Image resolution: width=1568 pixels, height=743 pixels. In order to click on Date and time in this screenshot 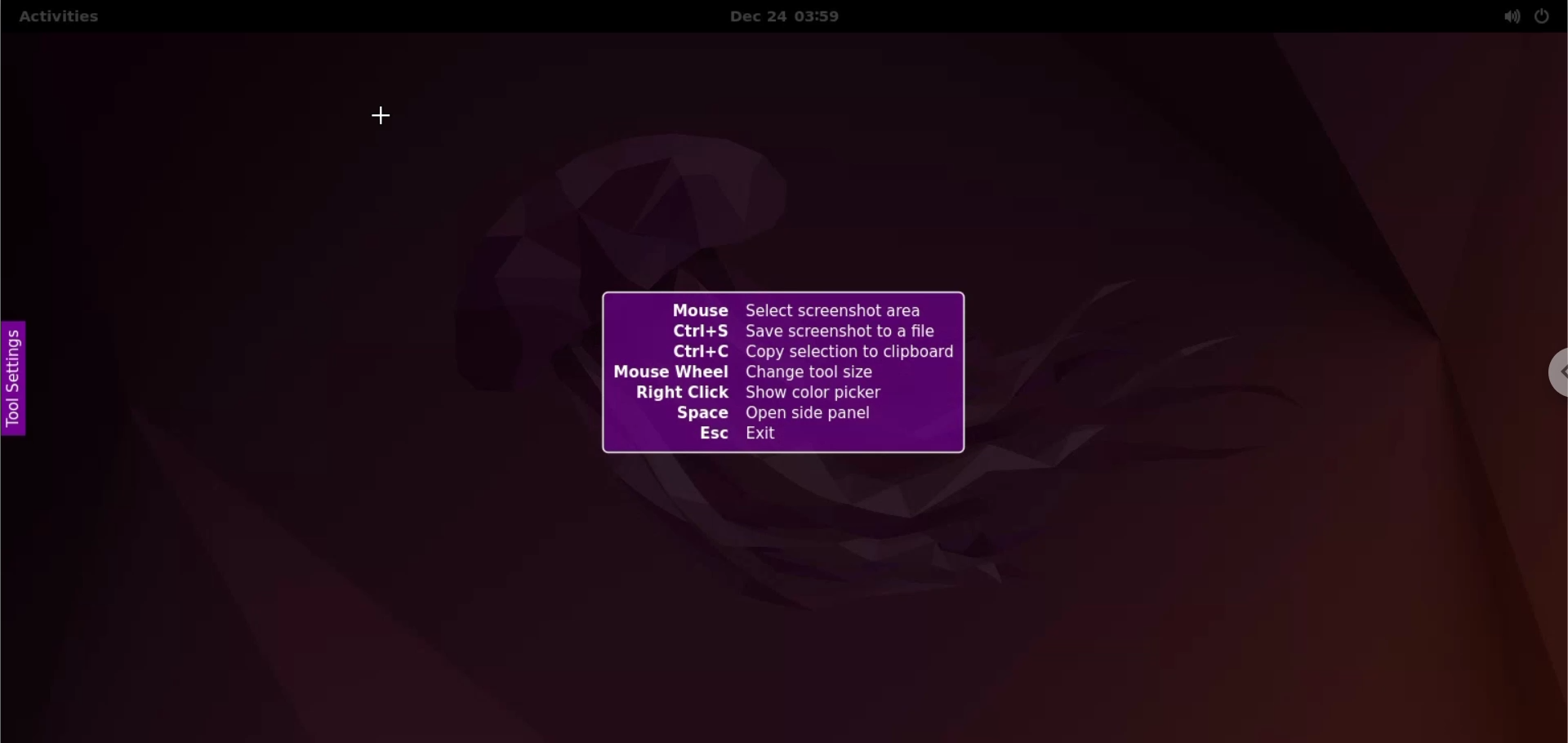, I will do `click(797, 17)`.